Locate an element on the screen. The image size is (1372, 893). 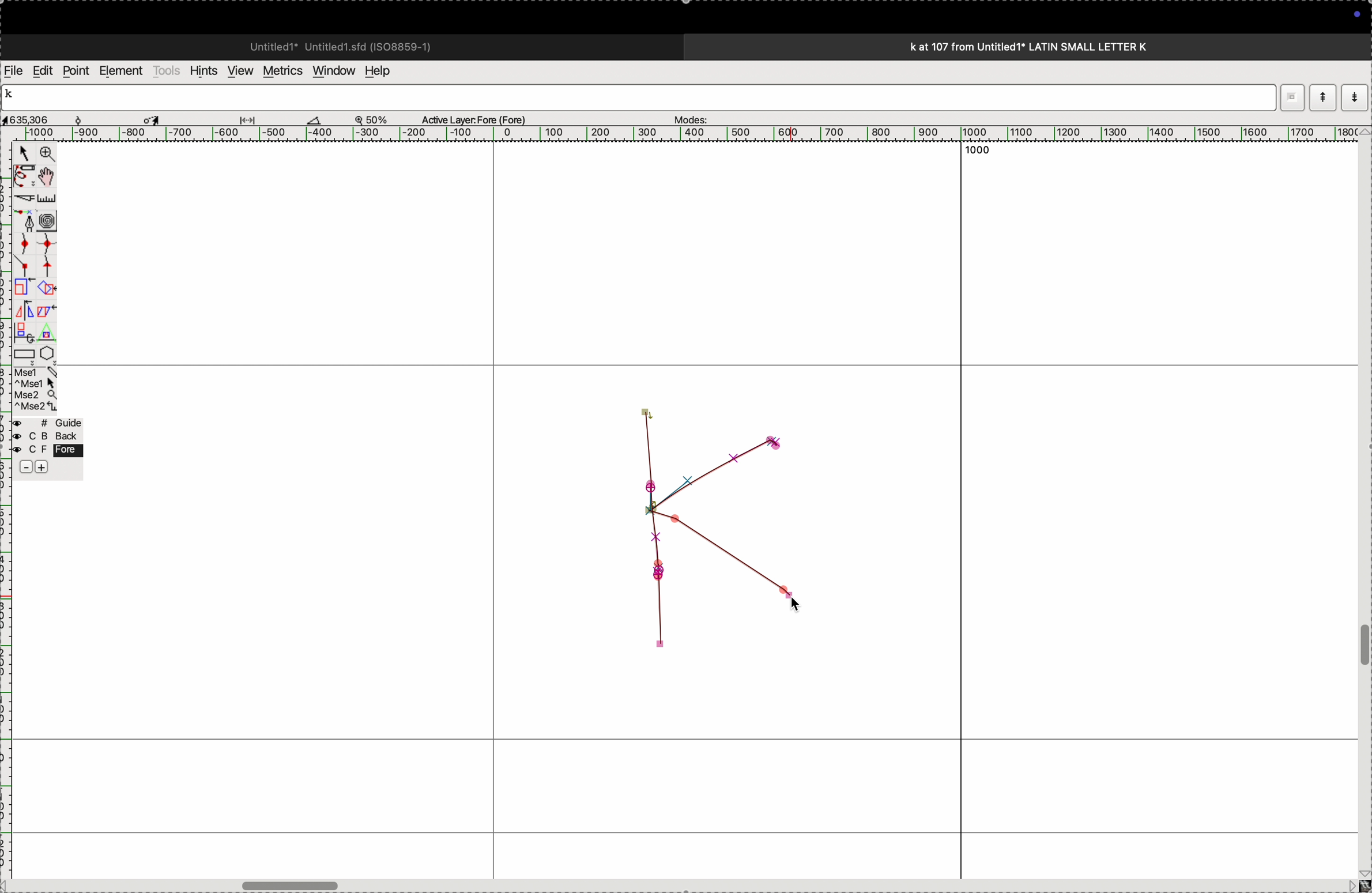
co ordinates is located at coordinates (40, 116).